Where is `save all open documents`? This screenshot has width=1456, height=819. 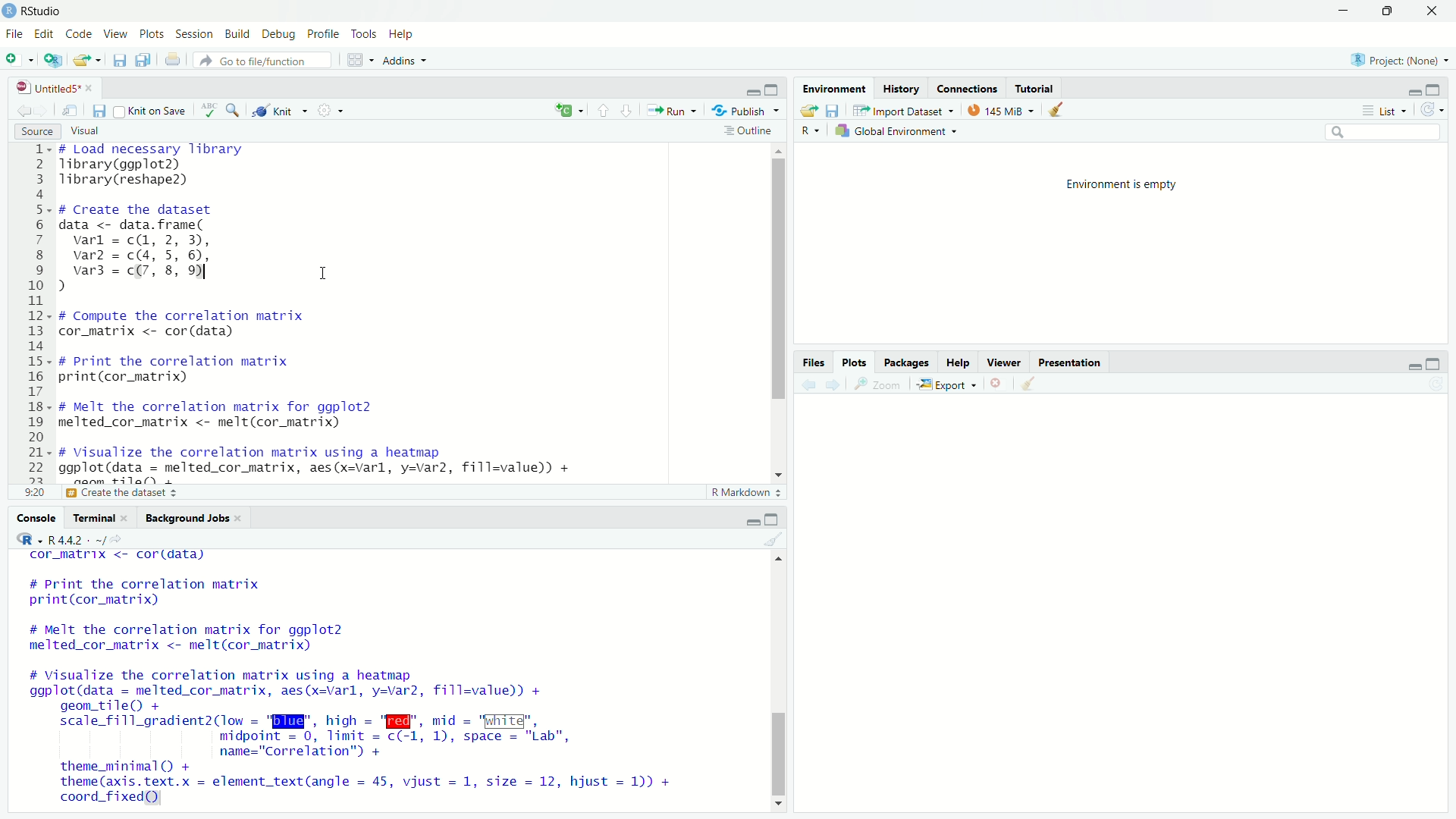
save all open documents is located at coordinates (146, 59).